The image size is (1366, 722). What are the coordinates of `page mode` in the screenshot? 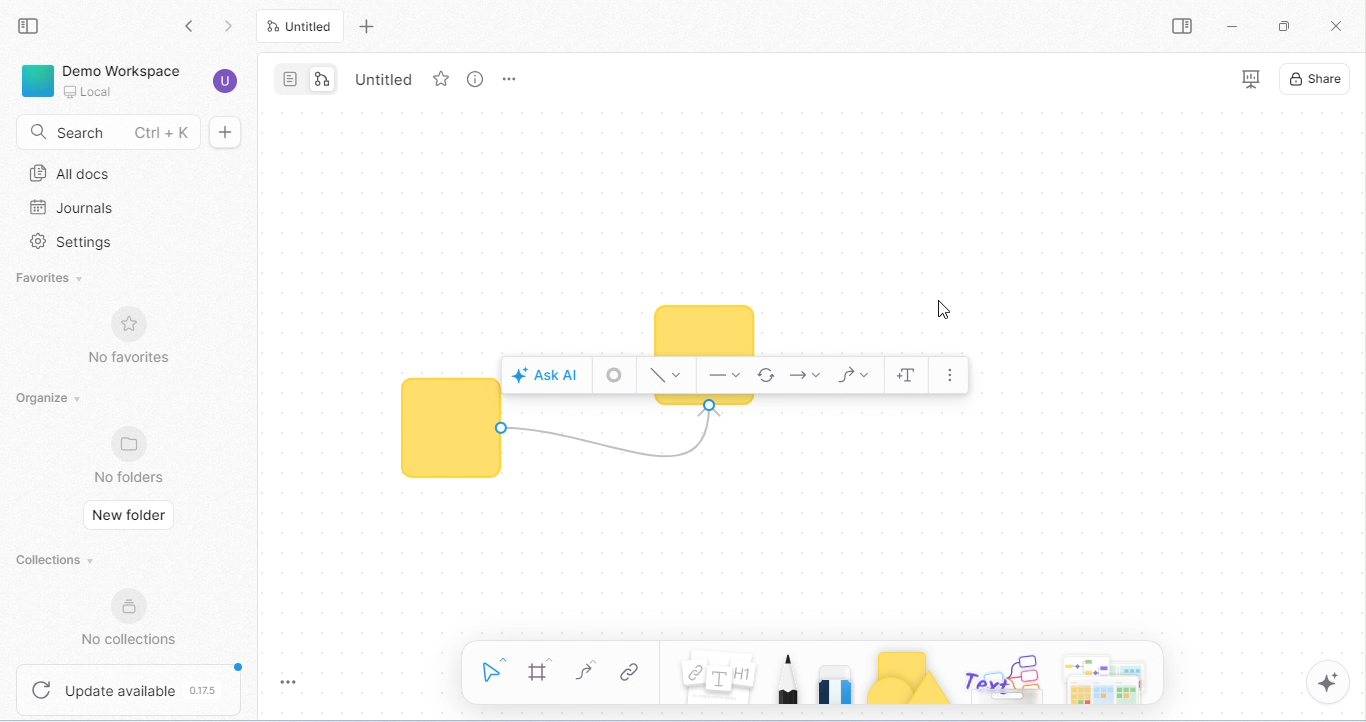 It's located at (290, 78).